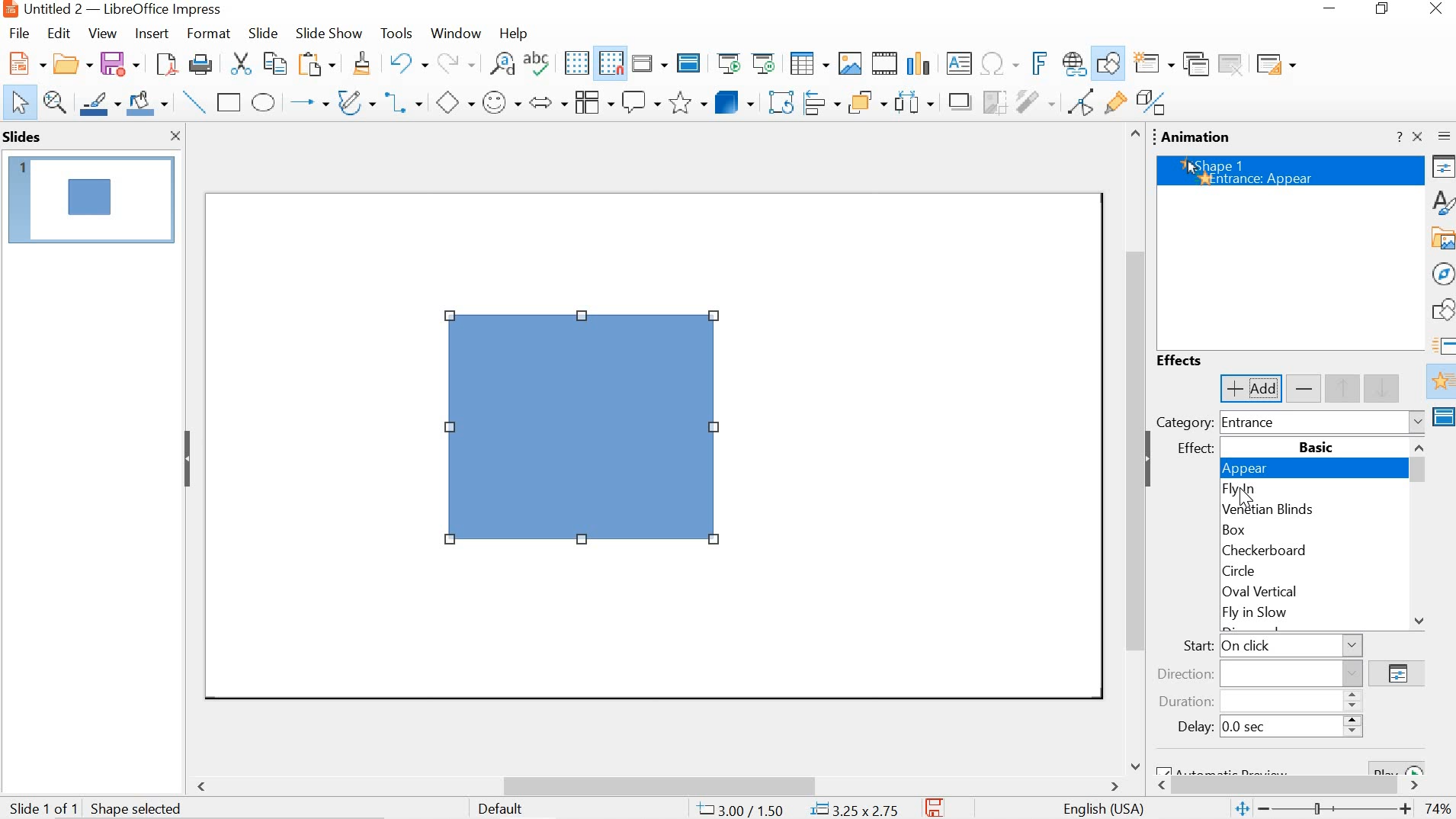 This screenshot has height=819, width=1456. Describe the element at coordinates (207, 34) in the screenshot. I see `format` at that location.